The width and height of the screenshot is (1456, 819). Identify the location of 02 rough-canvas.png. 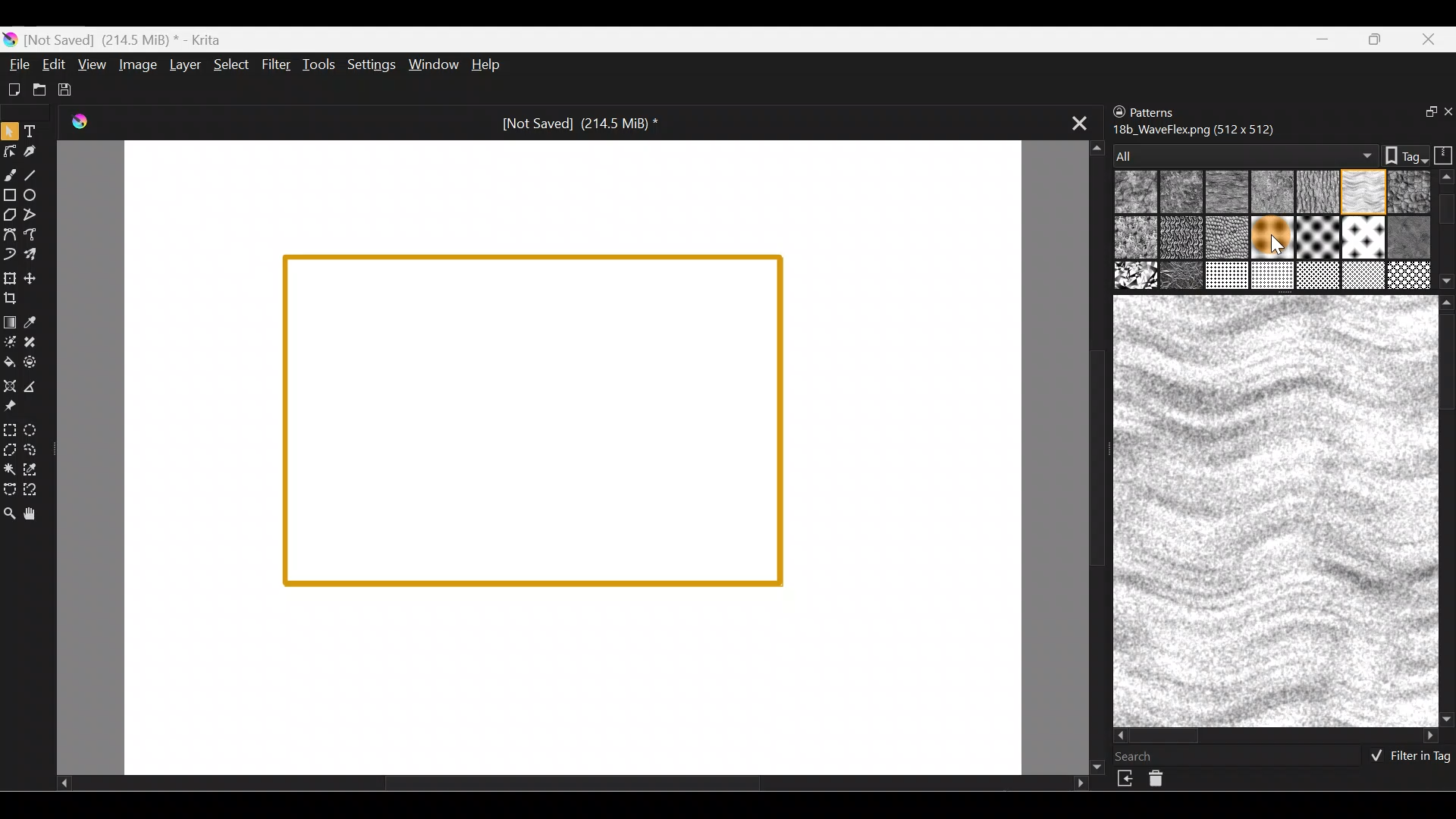
(1178, 191).